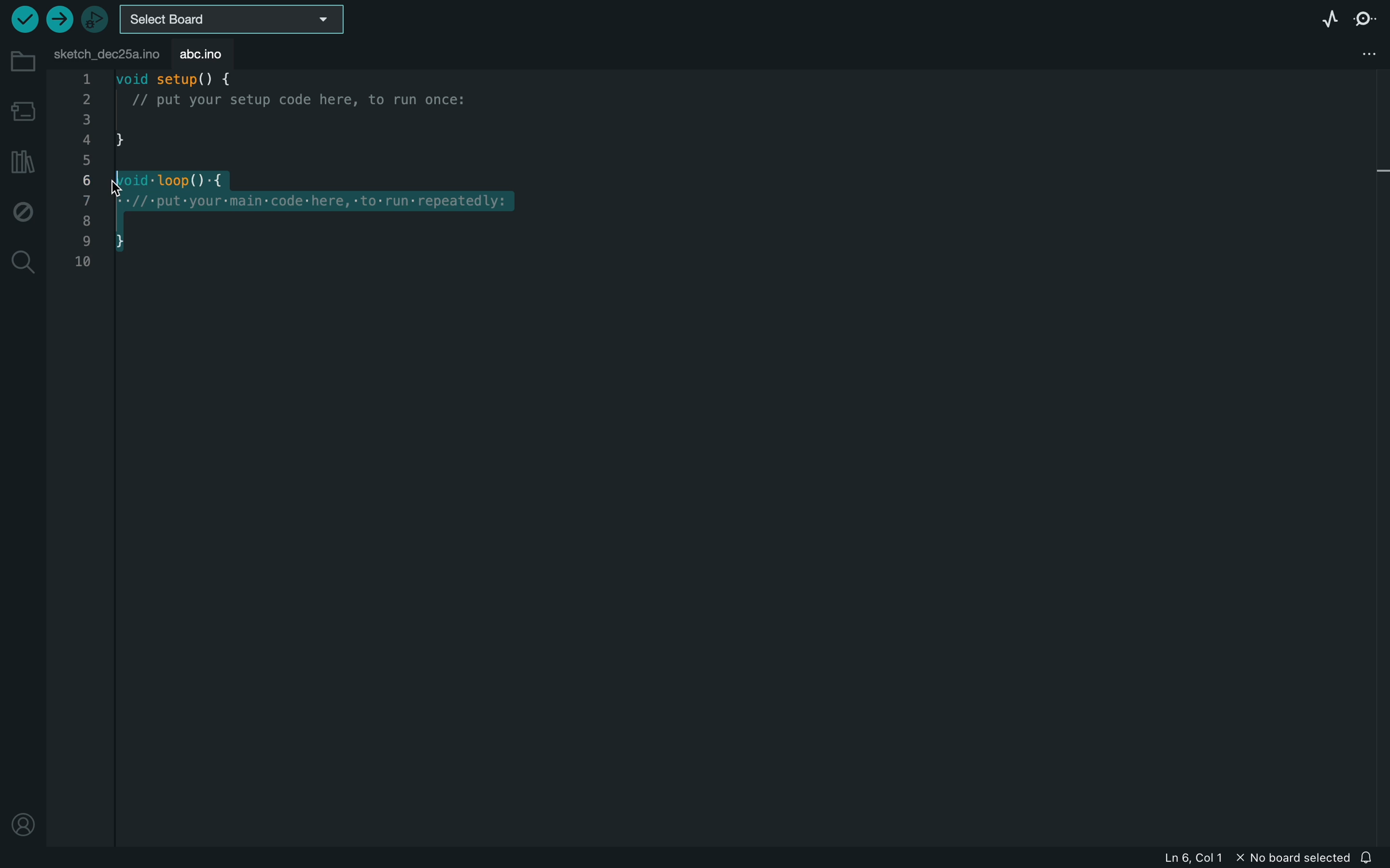  What do you see at coordinates (20, 61) in the screenshot?
I see `folder` at bounding box center [20, 61].